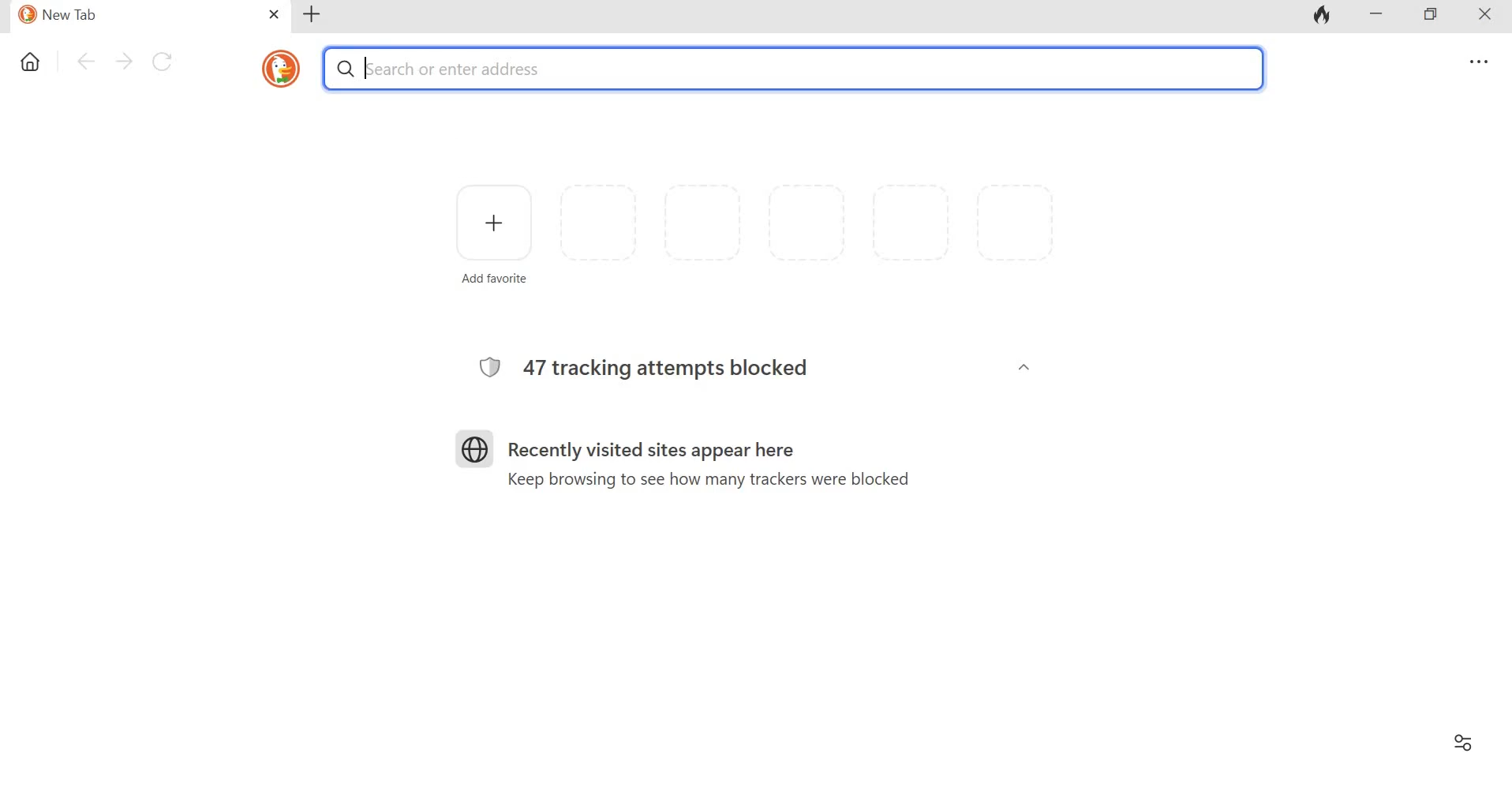 The height and width of the screenshot is (791, 1512). What do you see at coordinates (1476, 61) in the screenshot?
I see `Overflow menu` at bounding box center [1476, 61].